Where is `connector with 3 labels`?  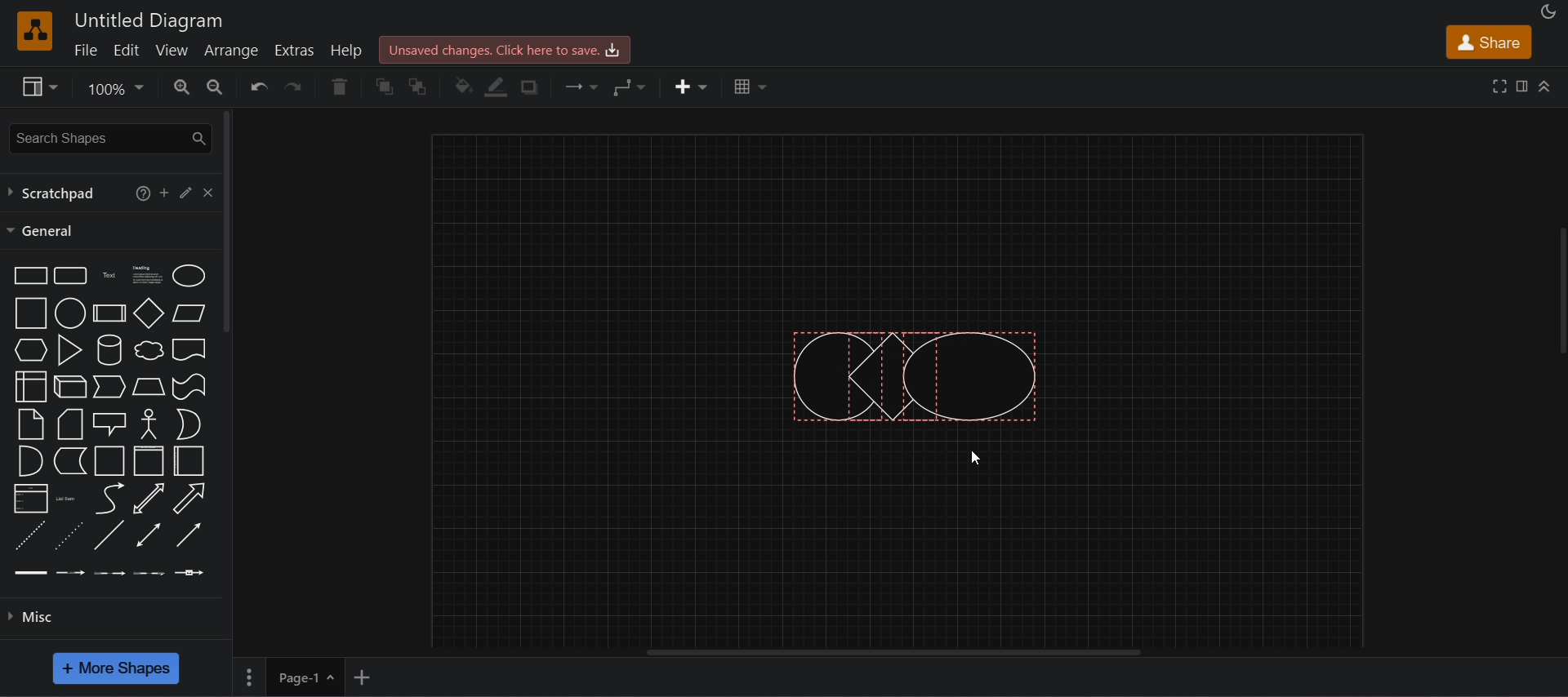
connector with 3 labels is located at coordinates (149, 571).